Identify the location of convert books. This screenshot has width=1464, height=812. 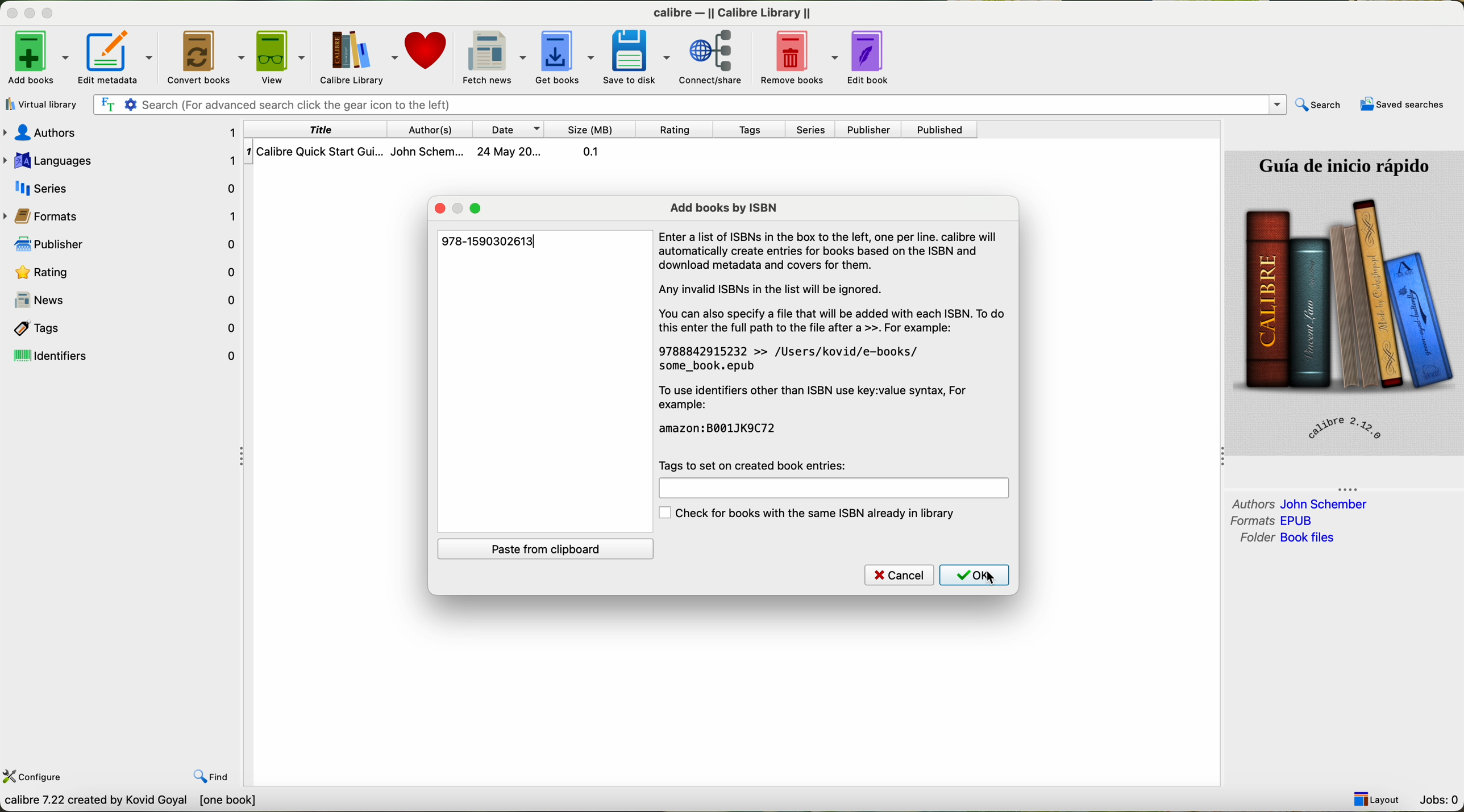
(207, 57).